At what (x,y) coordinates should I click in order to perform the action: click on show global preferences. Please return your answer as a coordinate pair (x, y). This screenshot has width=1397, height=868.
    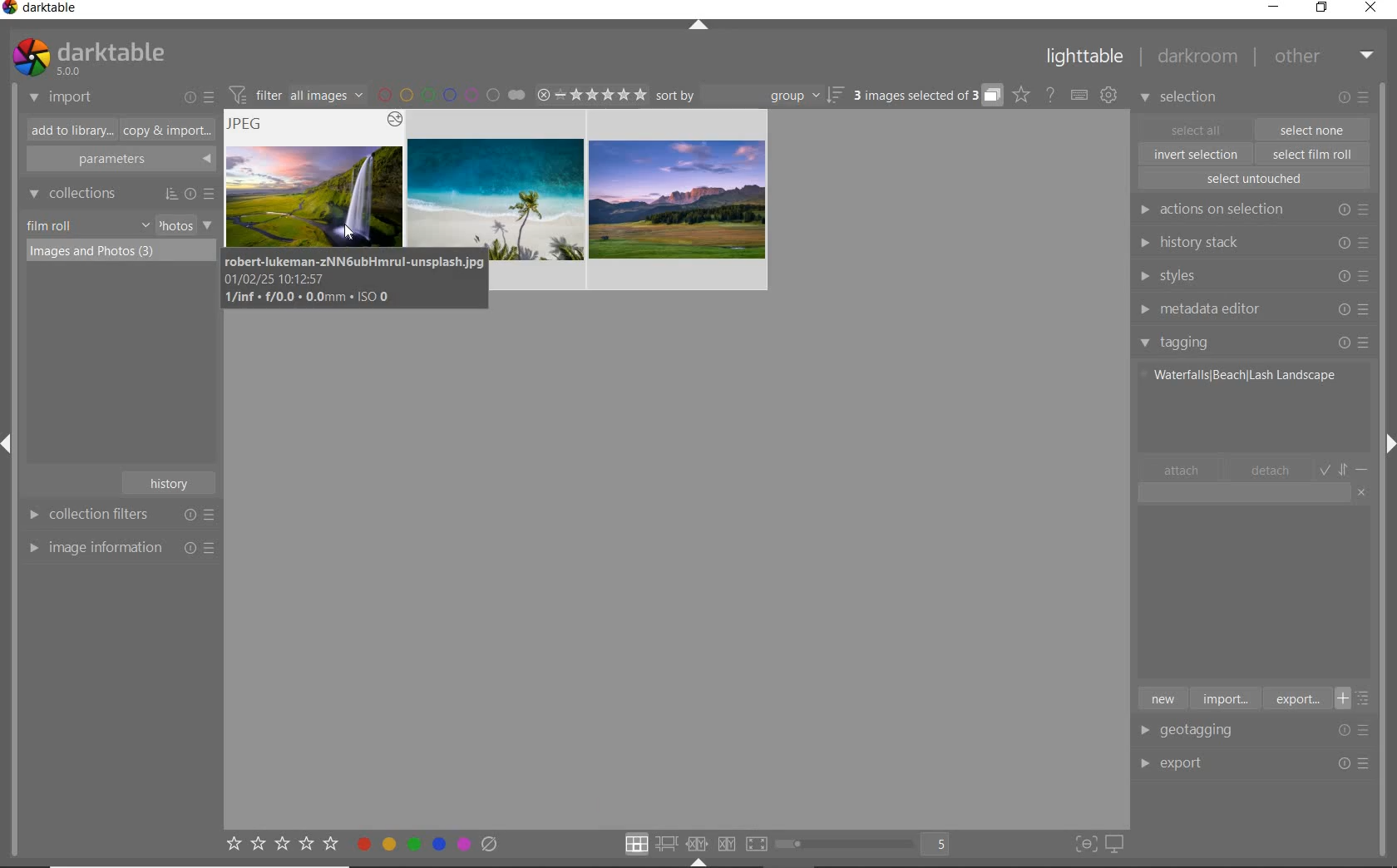
    Looking at the image, I should click on (1108, 96).